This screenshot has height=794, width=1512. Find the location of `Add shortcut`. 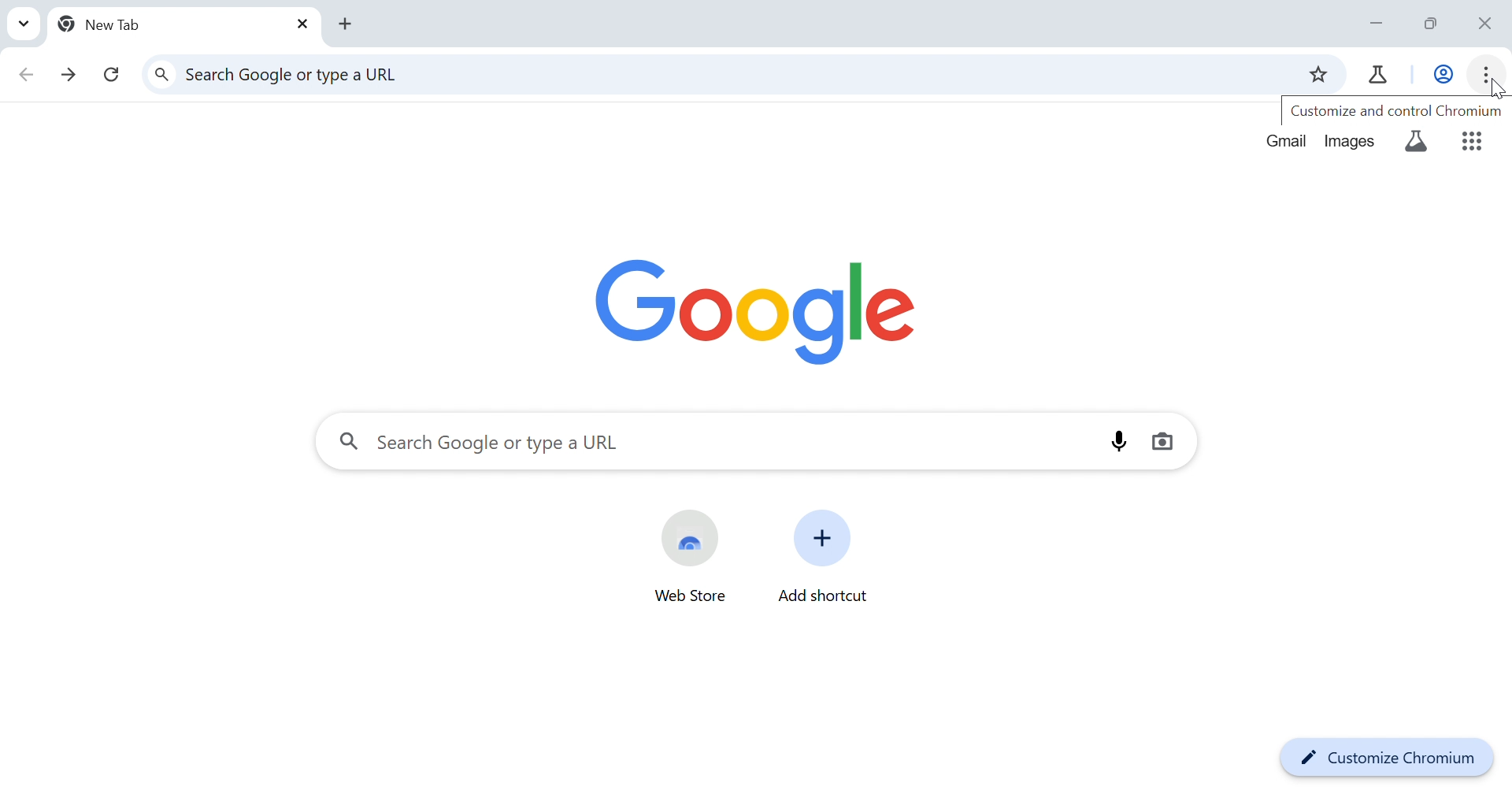

Add shortcut is located at coordinates (824, 538).